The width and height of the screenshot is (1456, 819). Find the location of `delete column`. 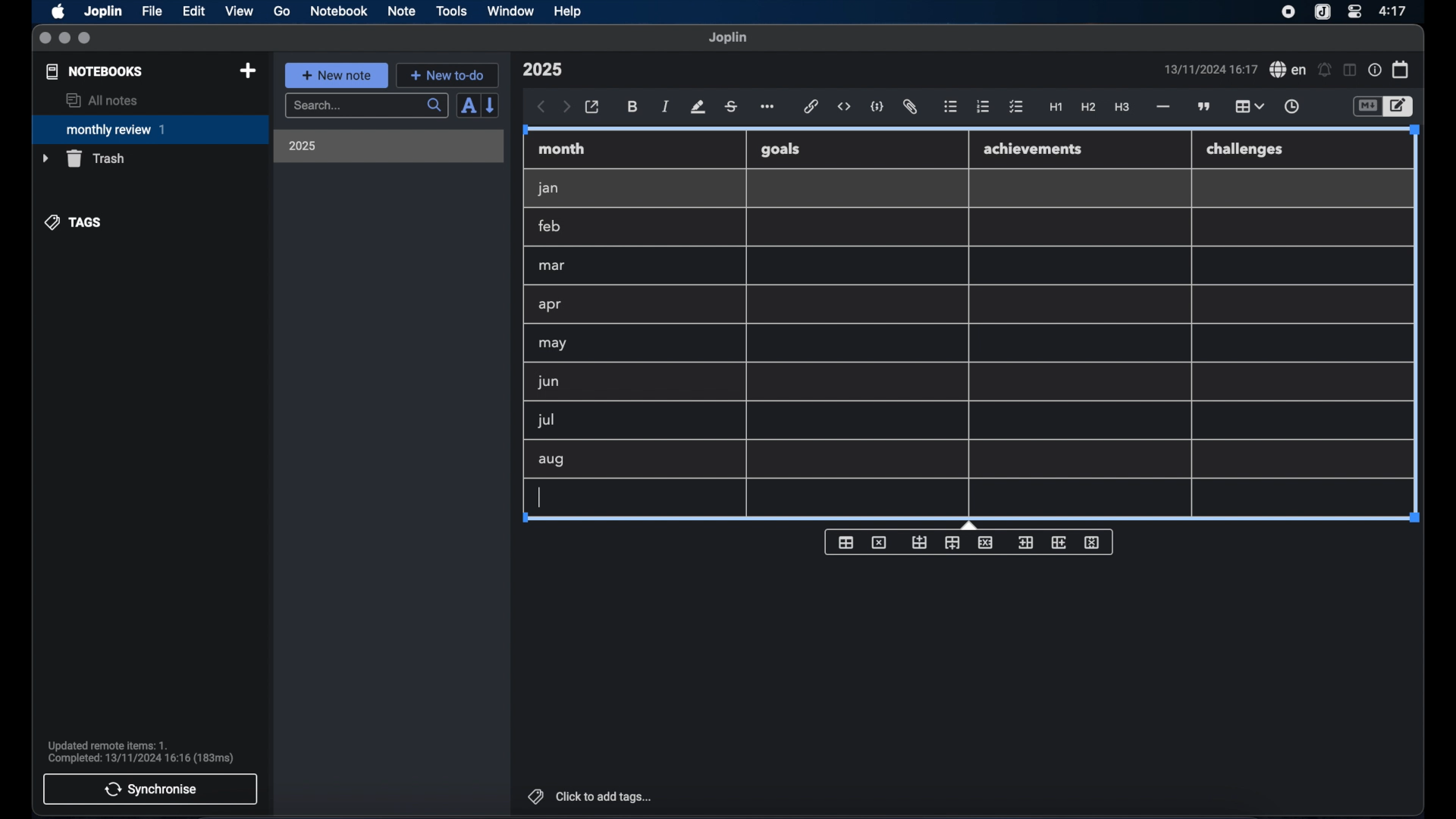

delete column is located at coordinates (1093, 543).